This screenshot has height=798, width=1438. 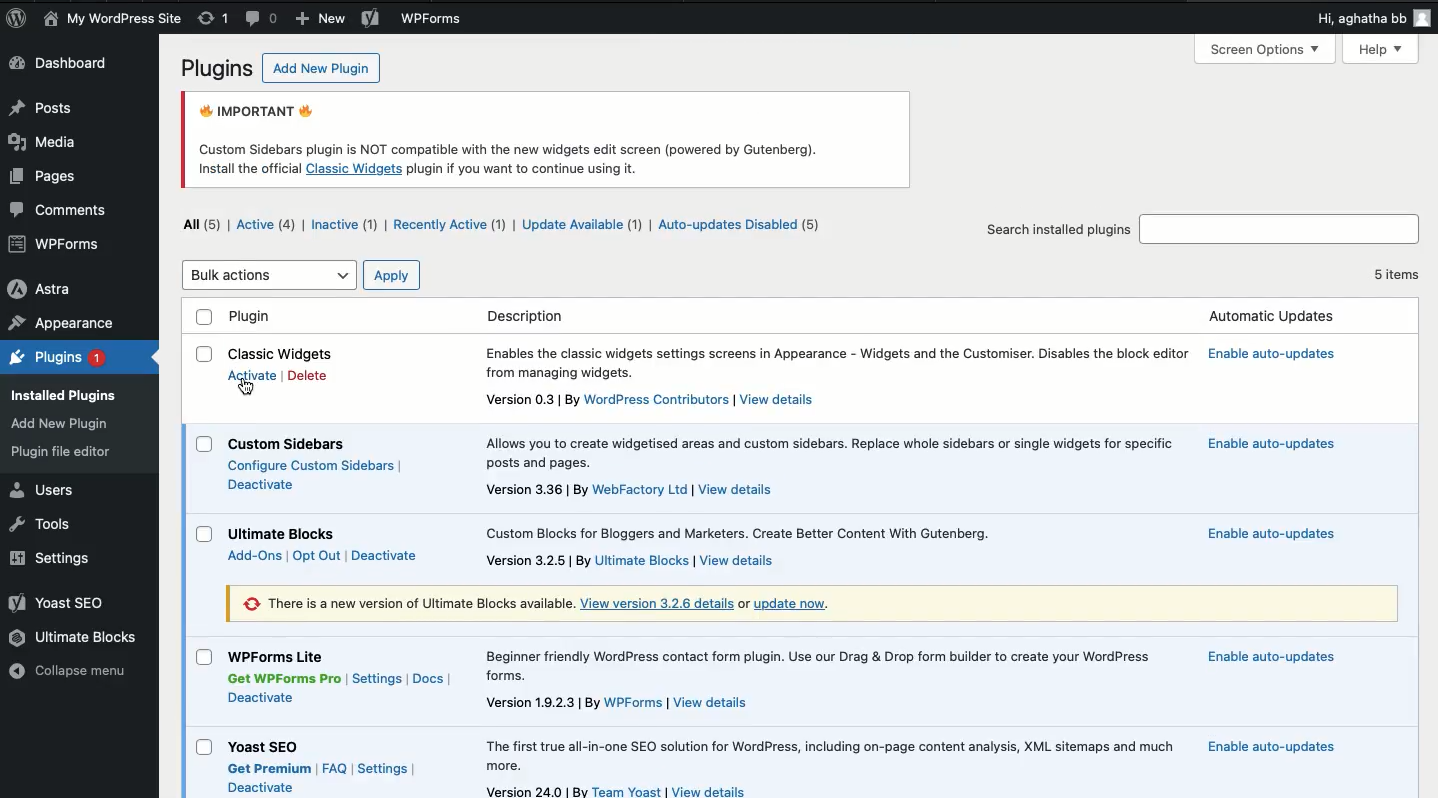 I want to click on Bulk actions, so click(x=270, y=275).